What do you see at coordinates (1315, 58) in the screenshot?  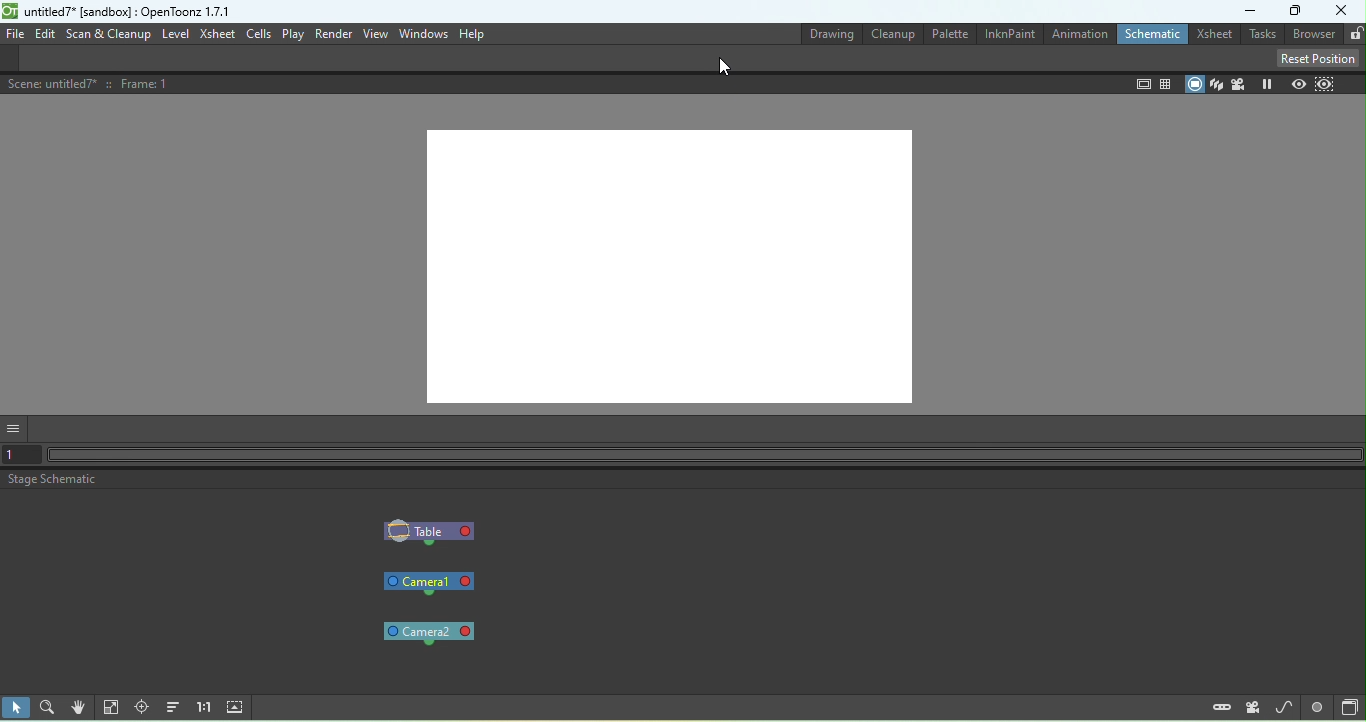 I see `Reset position` at bounding box center [1315, 58].